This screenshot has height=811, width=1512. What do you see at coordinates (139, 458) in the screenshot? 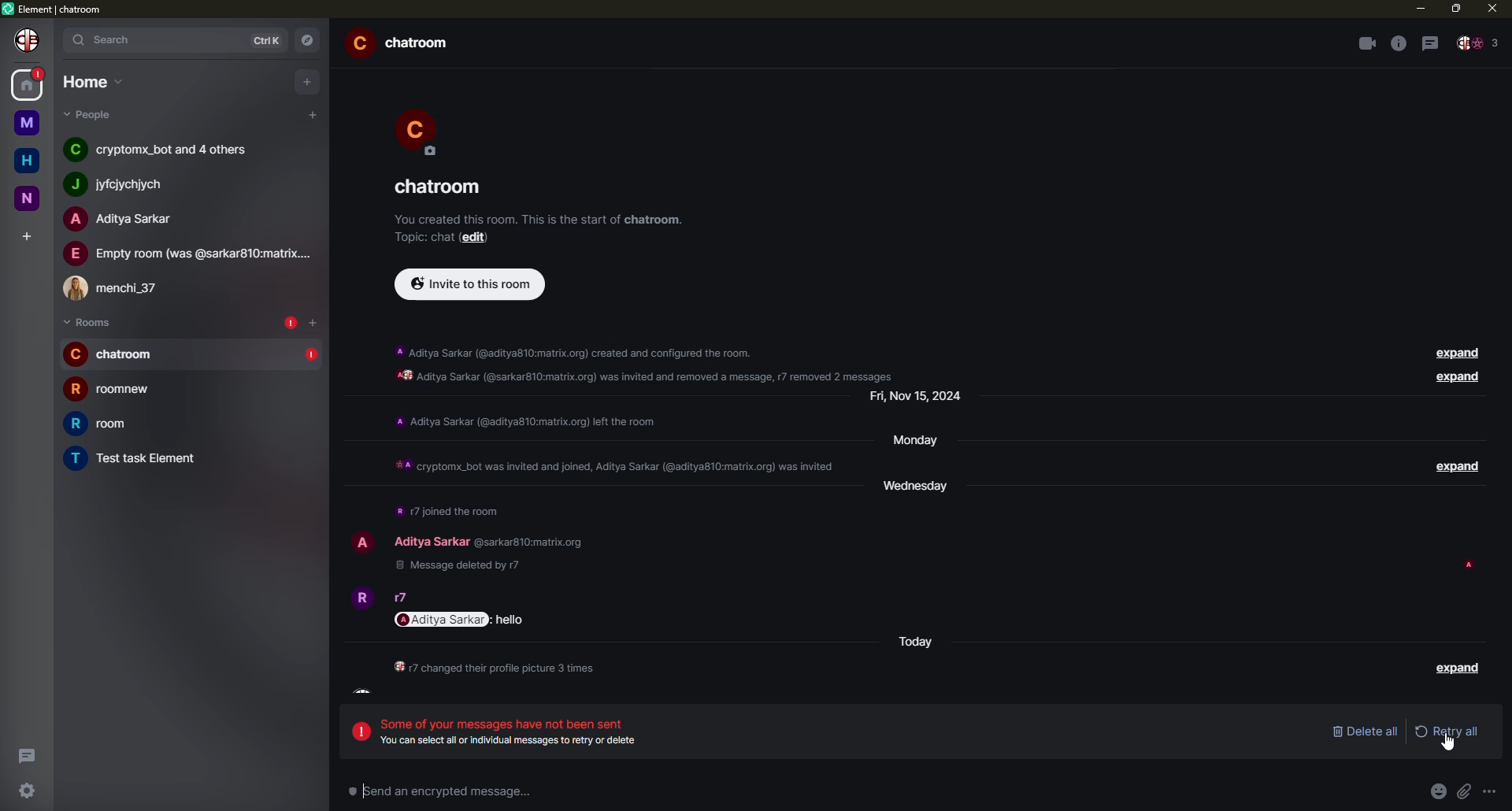
I see `room` at bounding box center [139, 458].